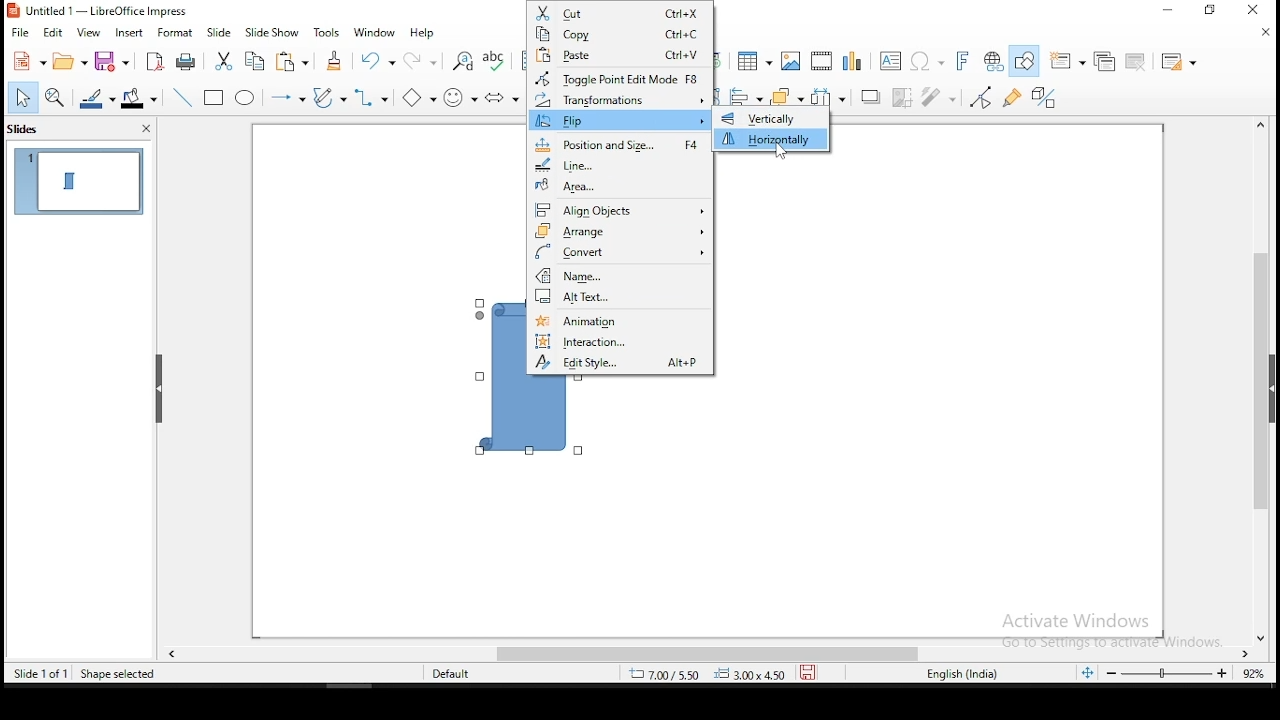 Image resolution: width=1280 pixels, height=720 pixels. I want to click on fill color, so click(138, 98).